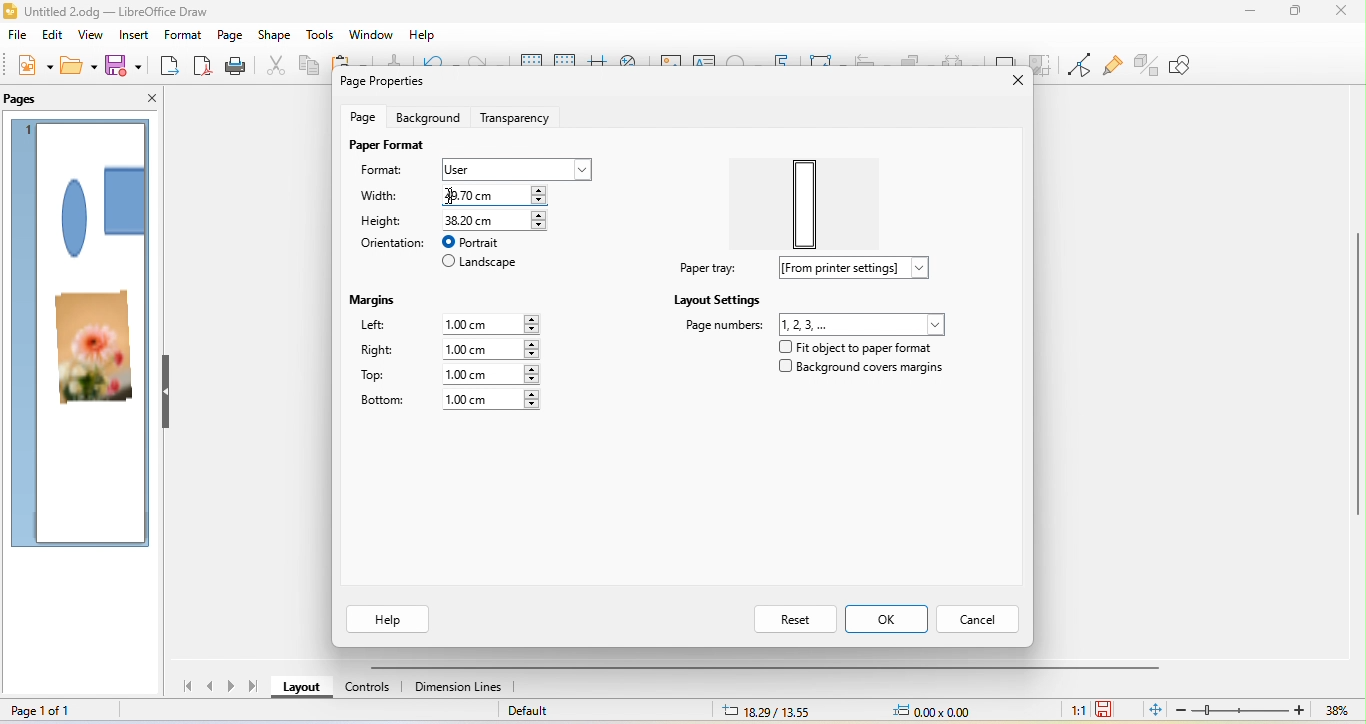 The height and width of the screenshot is (724, 1366). Describe the element at coordinates (79, 68) in the screenshot. I see `open` at that location.